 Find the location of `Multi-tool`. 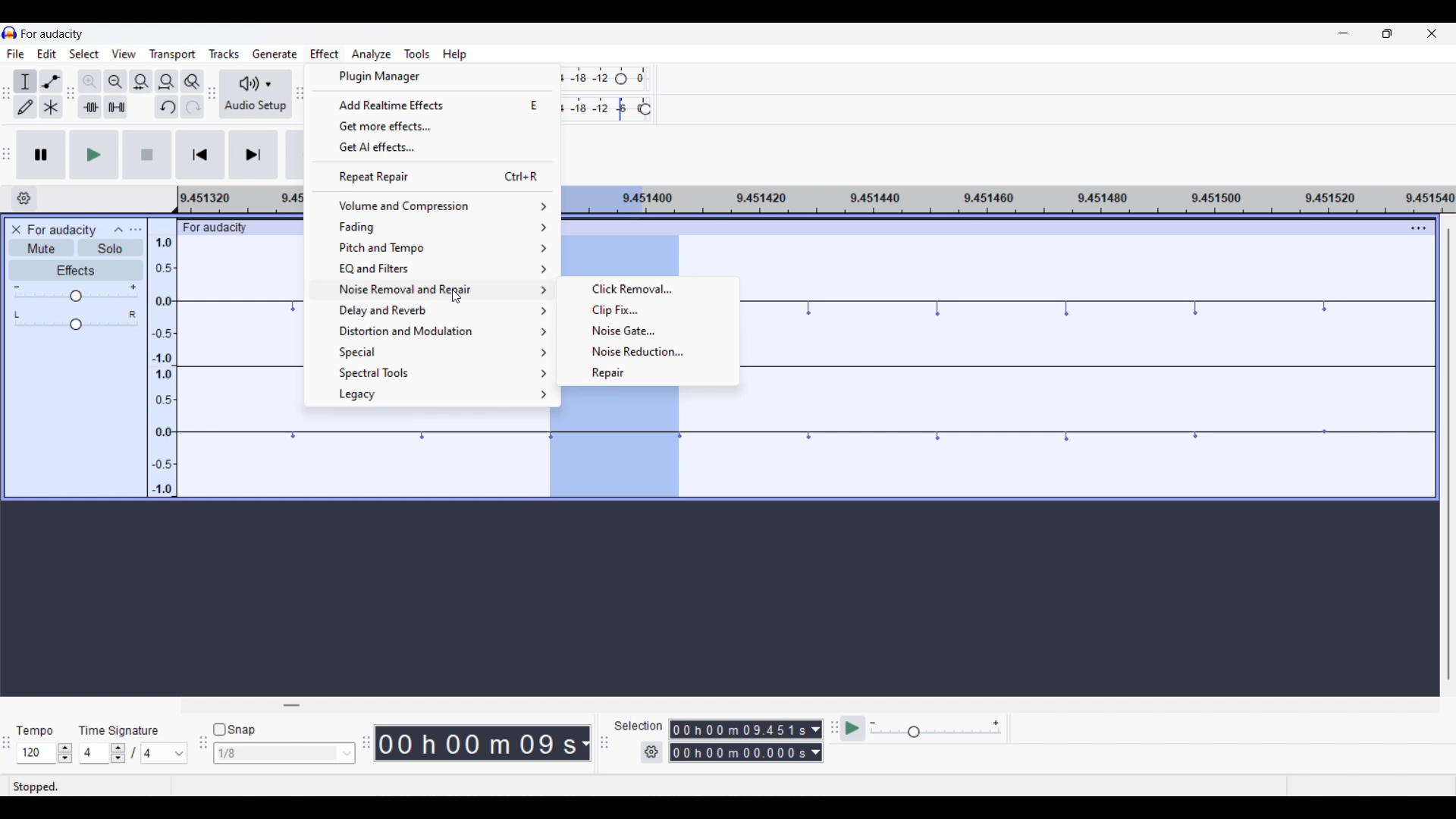

Multi-tool is located at coordinates (52, 107).